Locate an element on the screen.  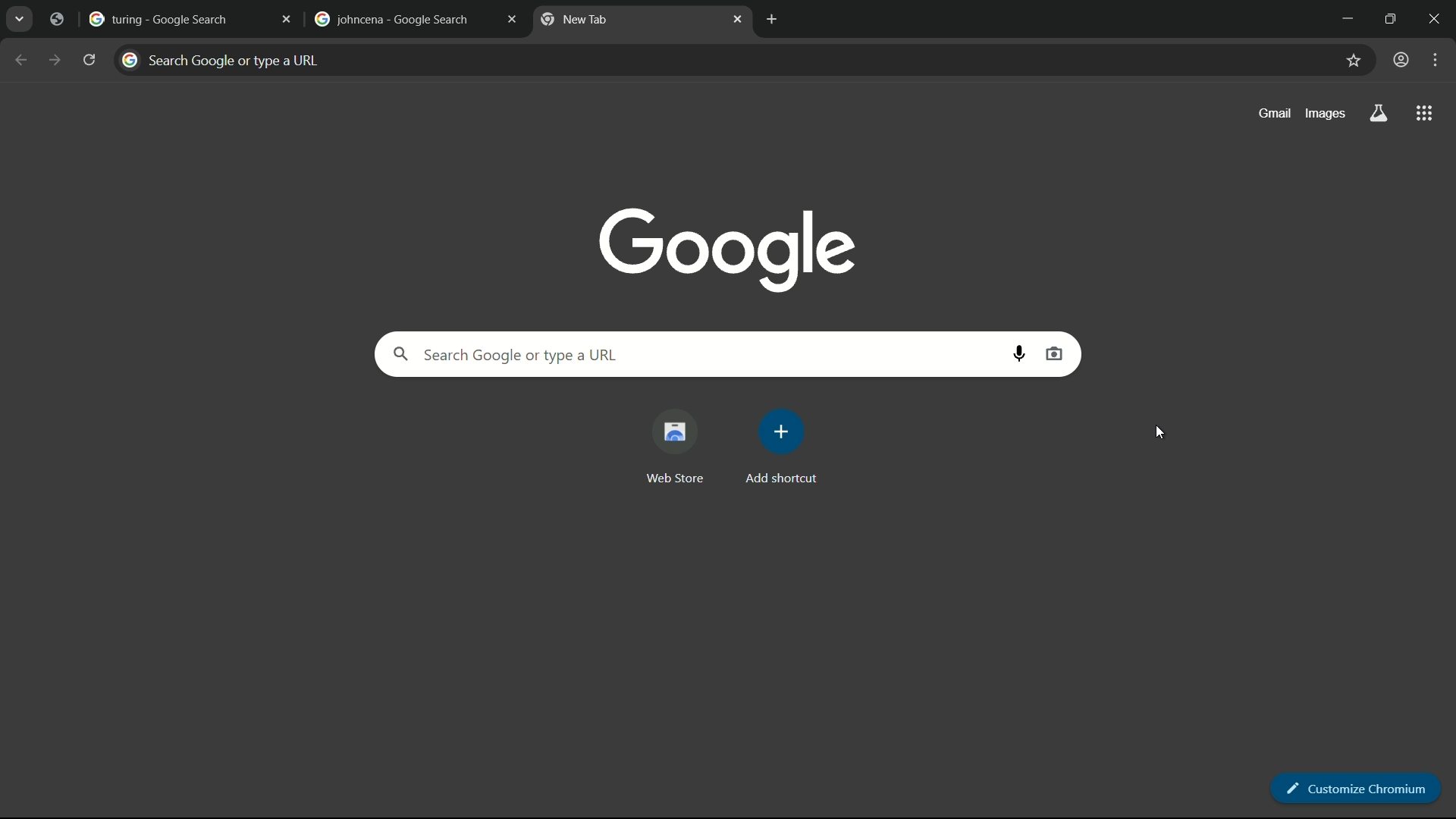
google is located at coordinates (730, 249).